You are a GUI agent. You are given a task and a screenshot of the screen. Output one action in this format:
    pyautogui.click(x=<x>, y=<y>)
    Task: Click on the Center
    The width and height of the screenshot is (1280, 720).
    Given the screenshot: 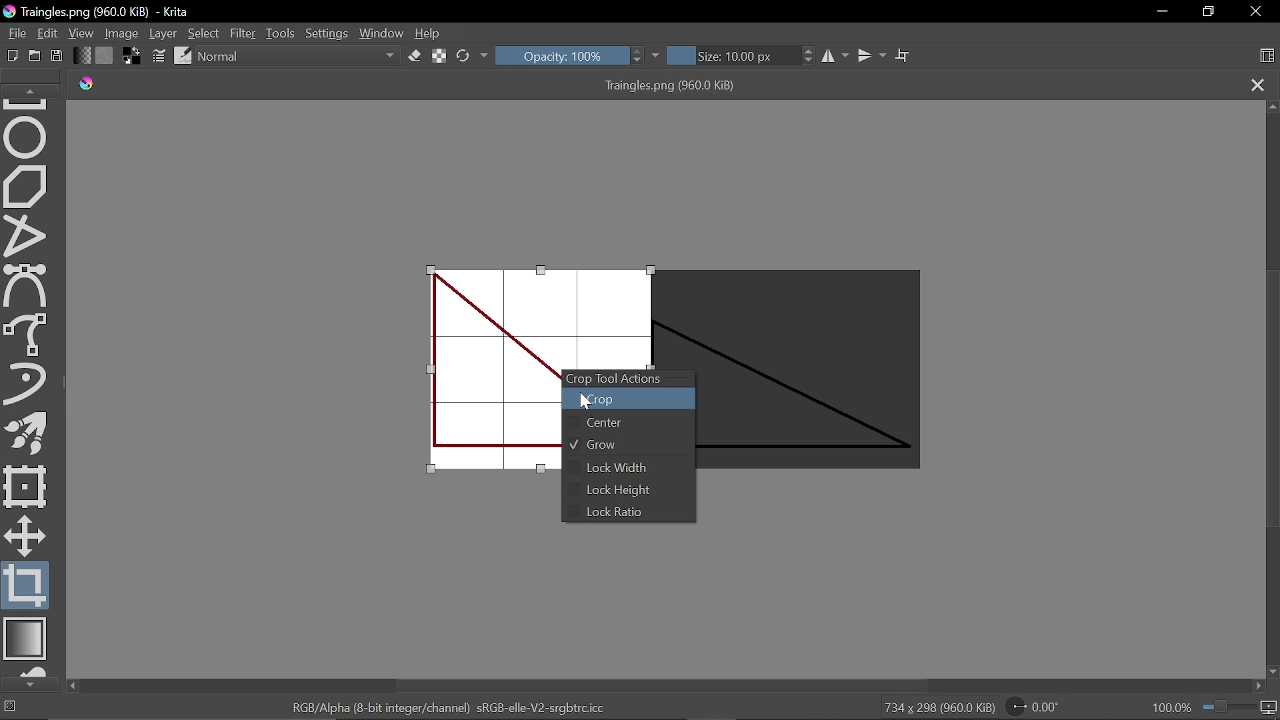 What is the action you would take?
    pyautogui.click(x=602, y=424)
    